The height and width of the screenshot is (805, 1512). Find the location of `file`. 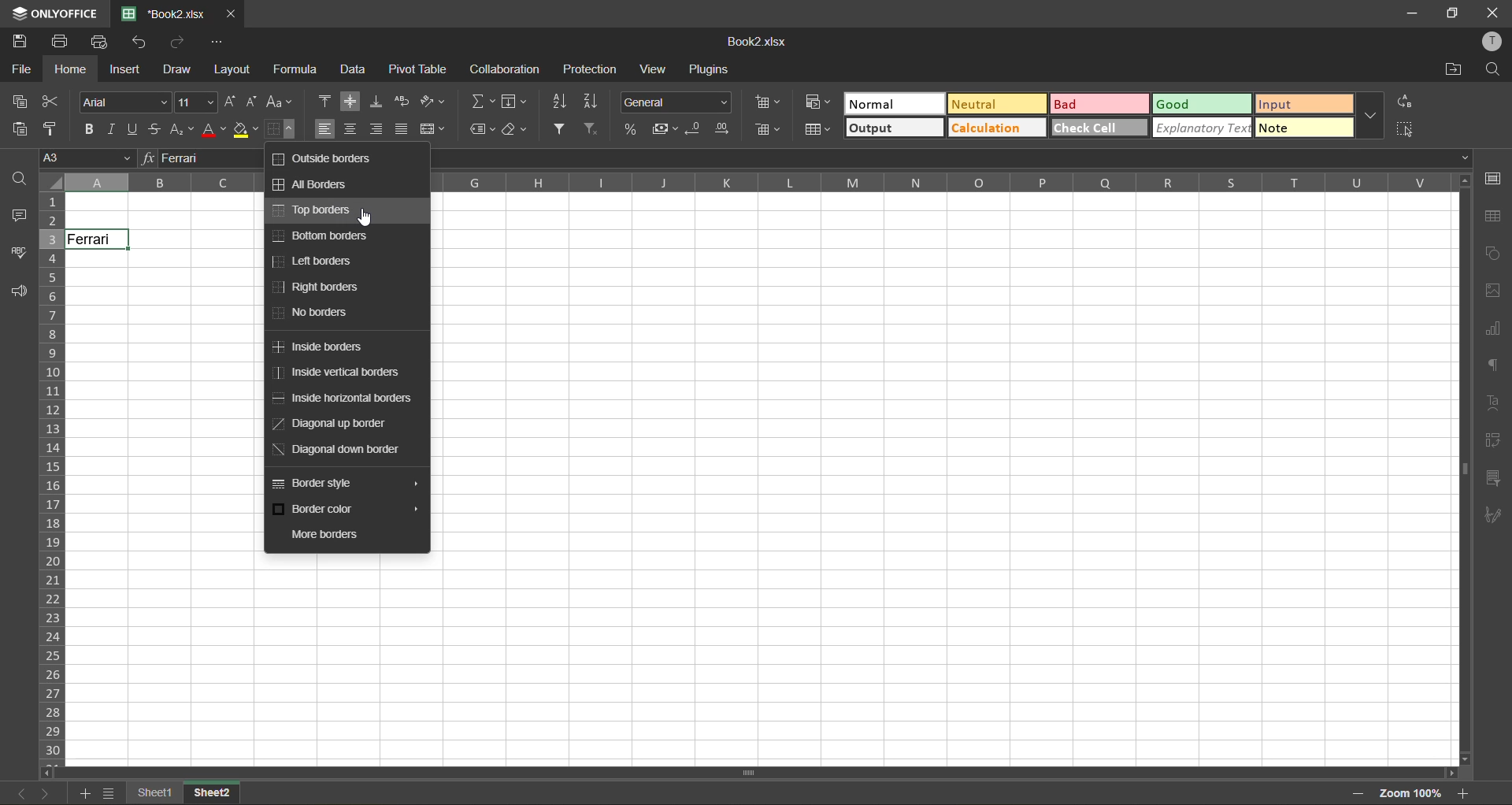

file is located at coordinates (20, 70).